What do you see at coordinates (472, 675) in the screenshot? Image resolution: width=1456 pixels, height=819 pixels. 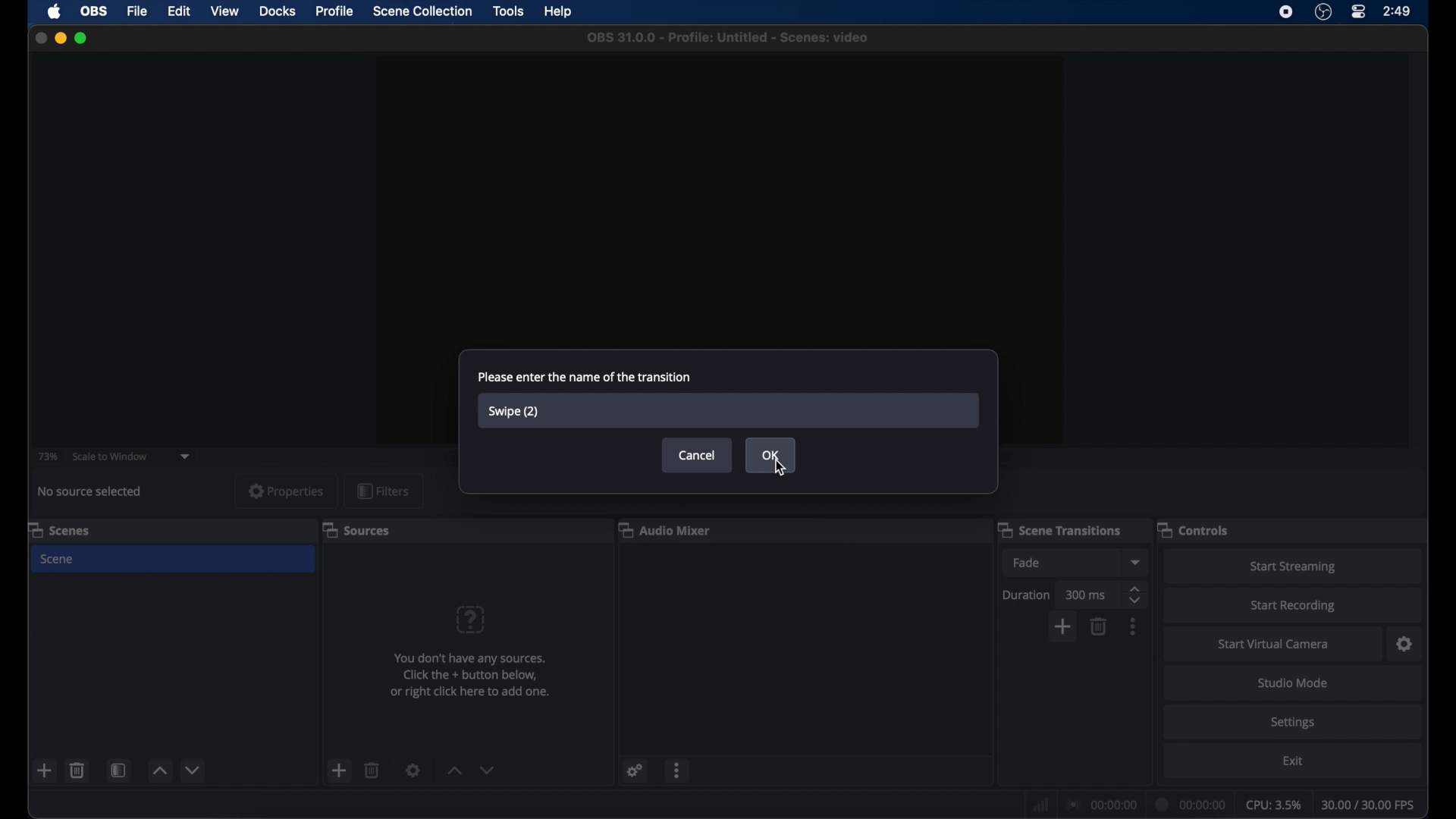 I see `info` at bounding box center [472, 675].